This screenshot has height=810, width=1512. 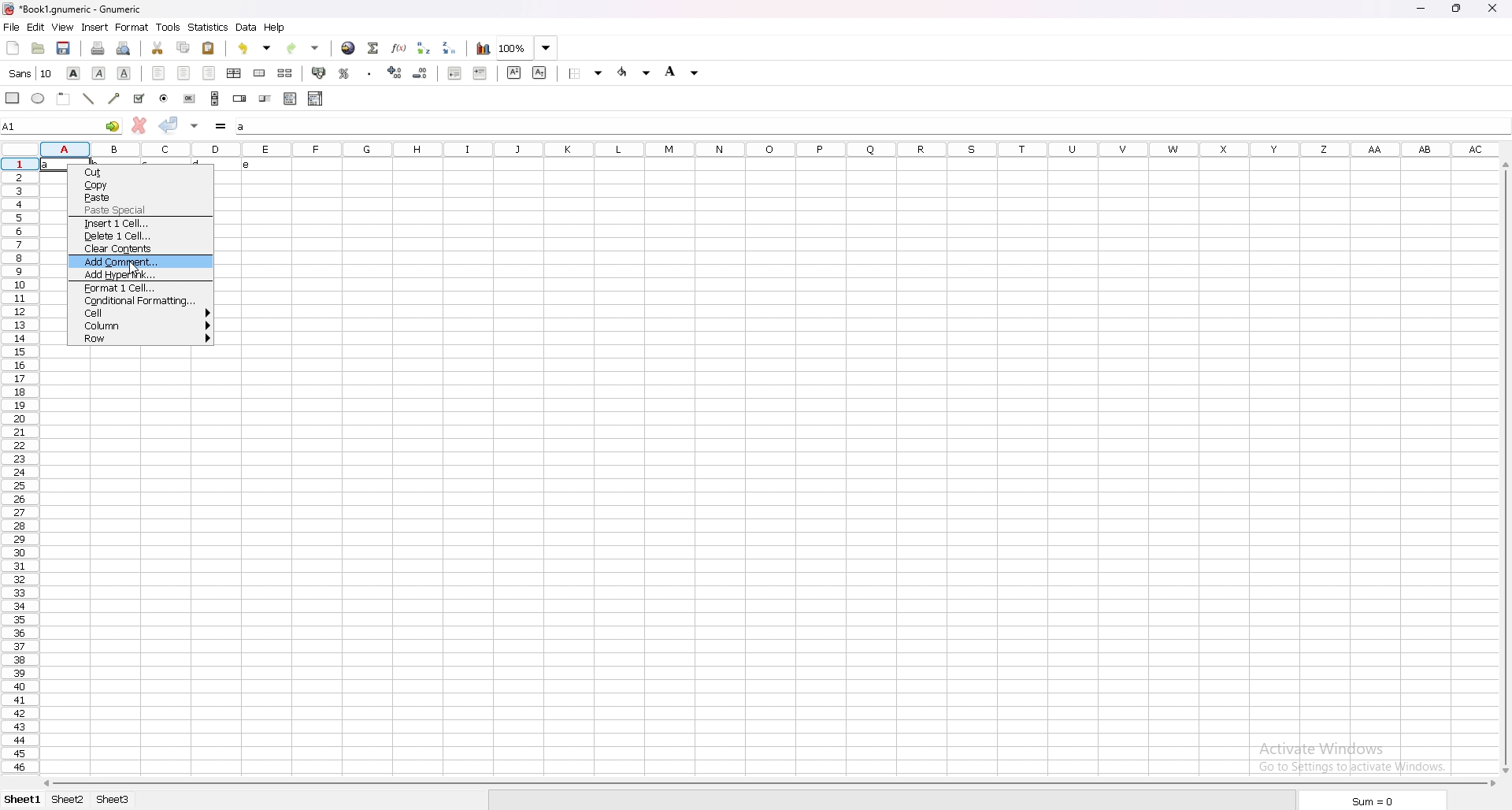 I want to click on function, so click(x=399, y=48).